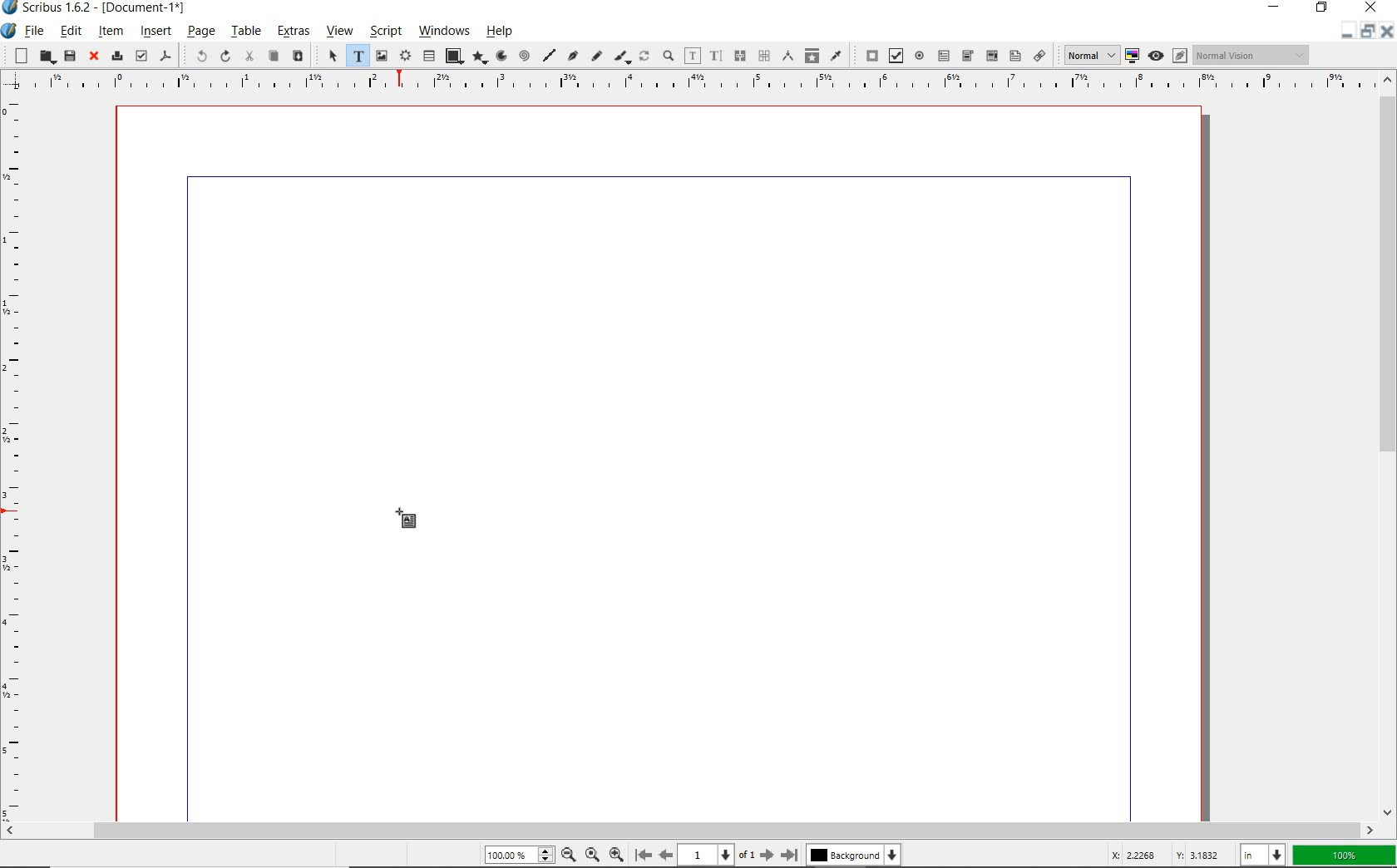 This screenshot has width=1397, height=868. I want to click on First page, so click(642, 856).